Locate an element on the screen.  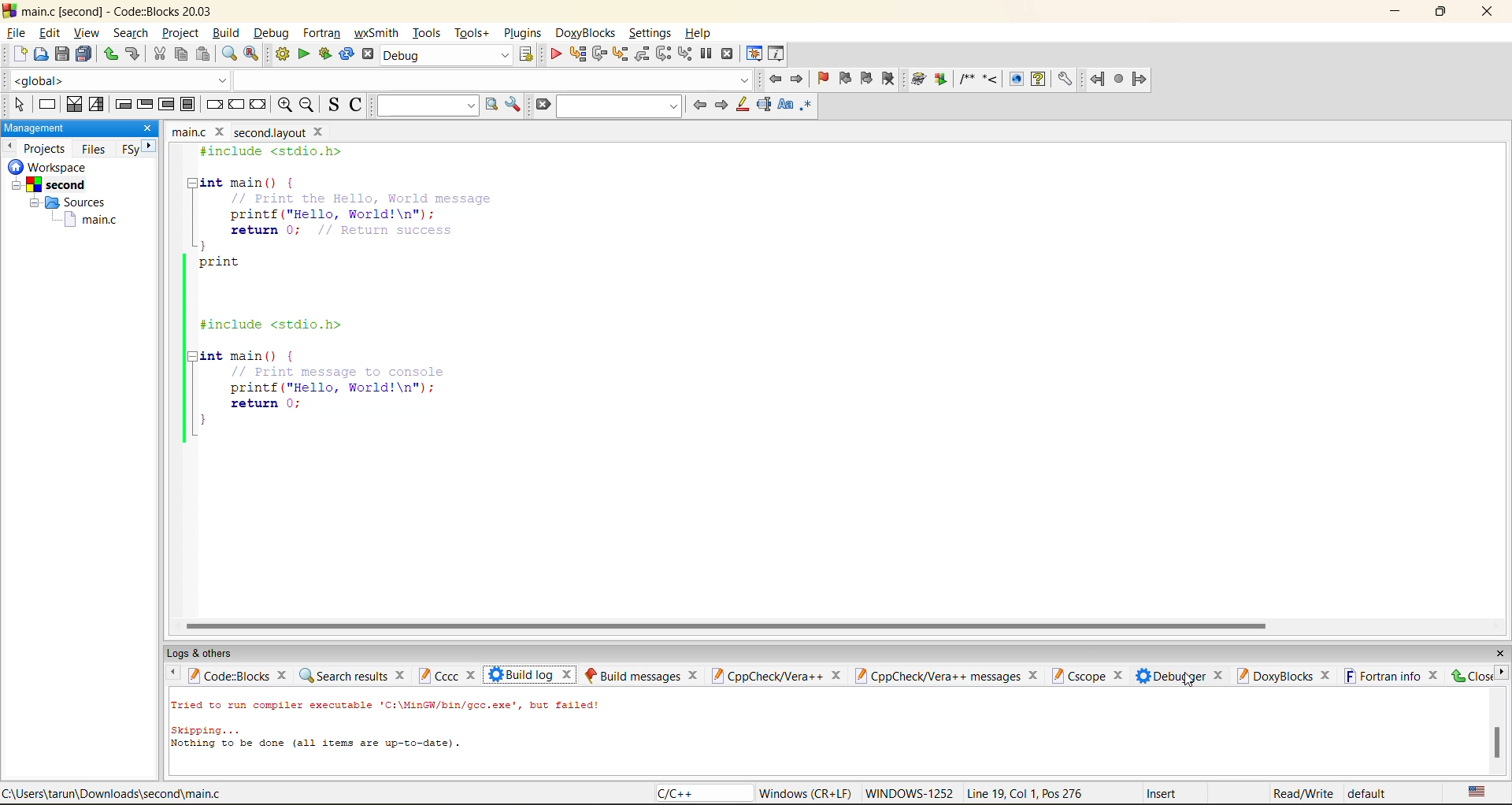
FSy next is located at coordinates (138, 148).